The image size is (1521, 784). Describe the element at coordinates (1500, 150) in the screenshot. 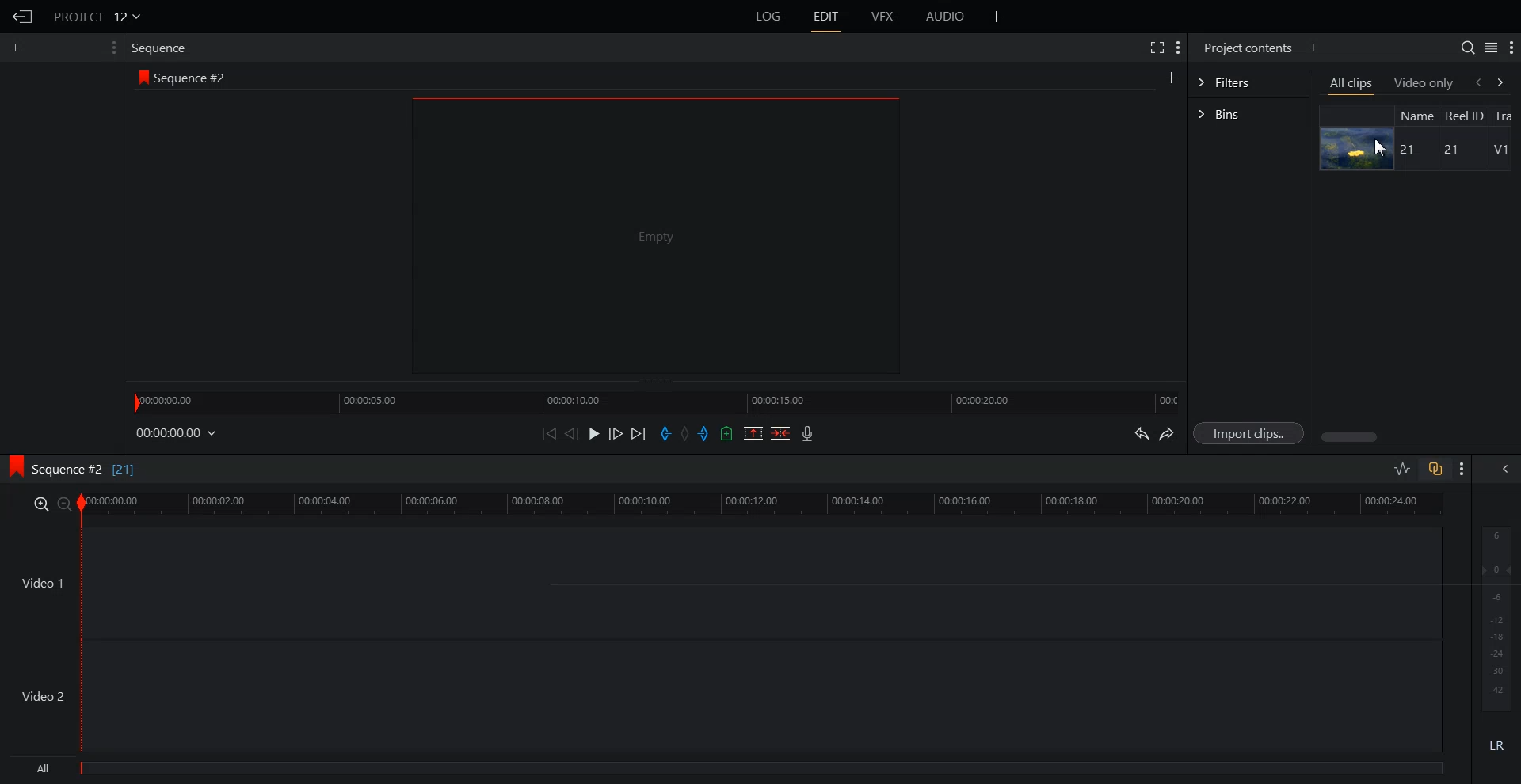

I see `V1` at that location.